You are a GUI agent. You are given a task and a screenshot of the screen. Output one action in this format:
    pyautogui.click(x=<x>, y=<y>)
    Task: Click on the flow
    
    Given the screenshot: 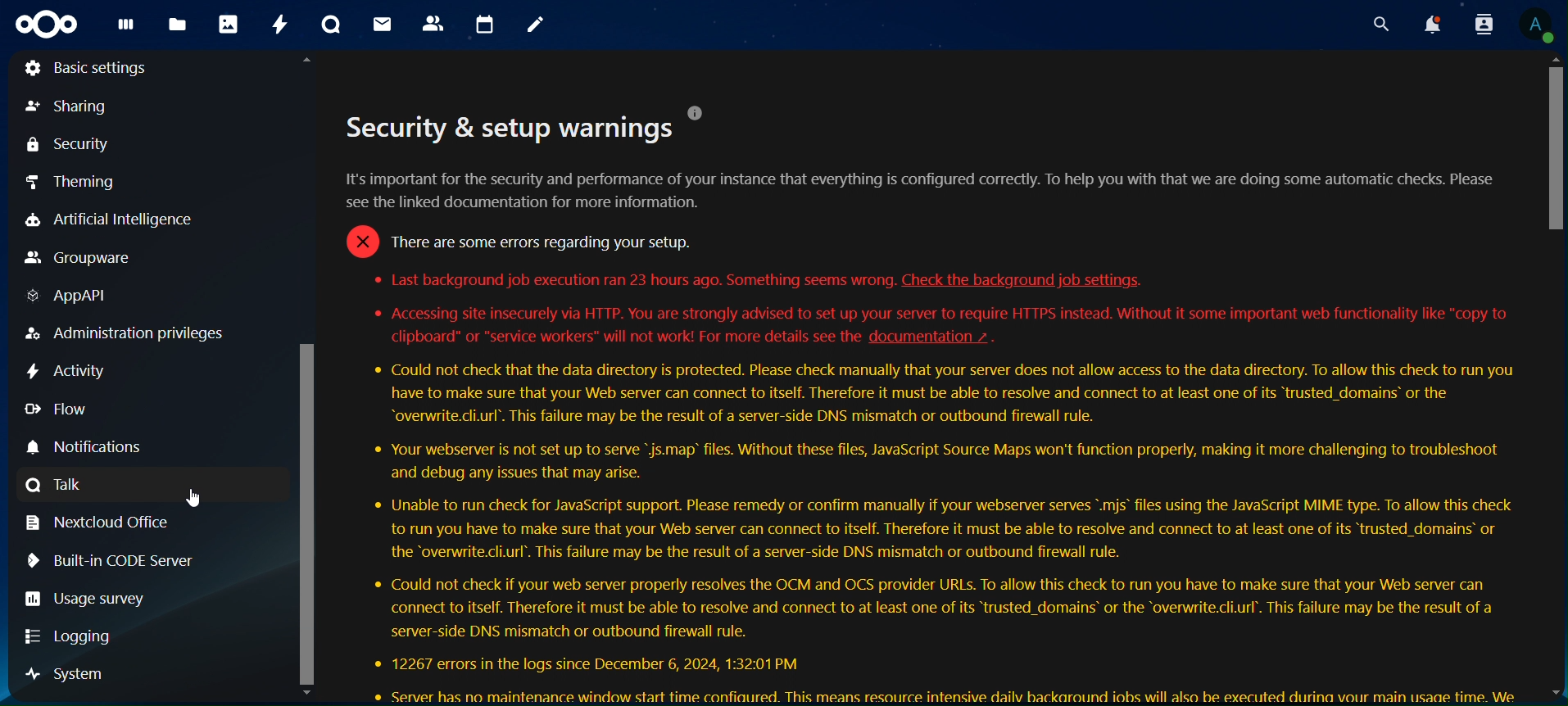 What is the action you would take?
    pyautogui.click(x=54, y=409)
    